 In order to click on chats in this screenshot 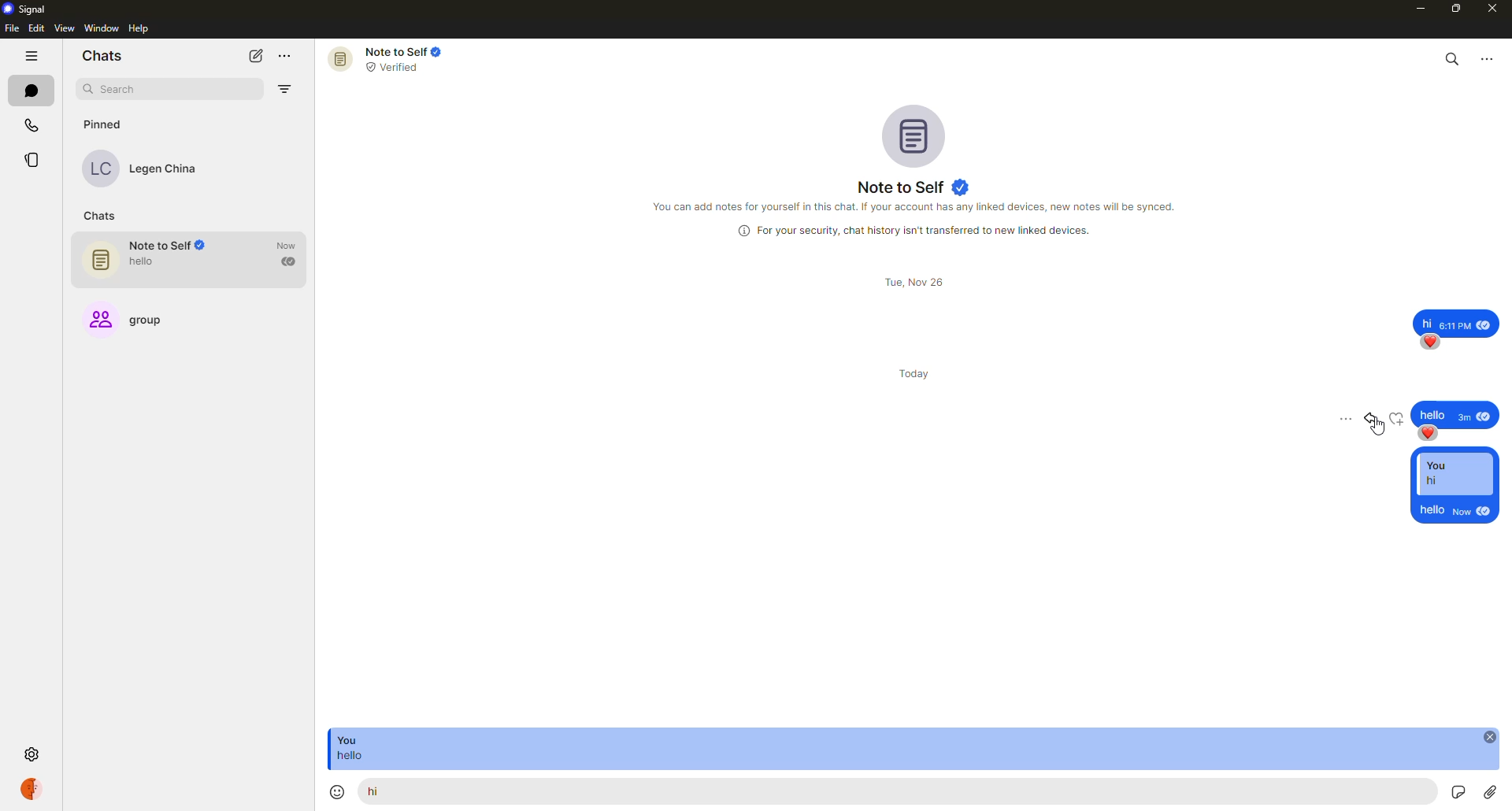, I will do `click(99, 215)`.